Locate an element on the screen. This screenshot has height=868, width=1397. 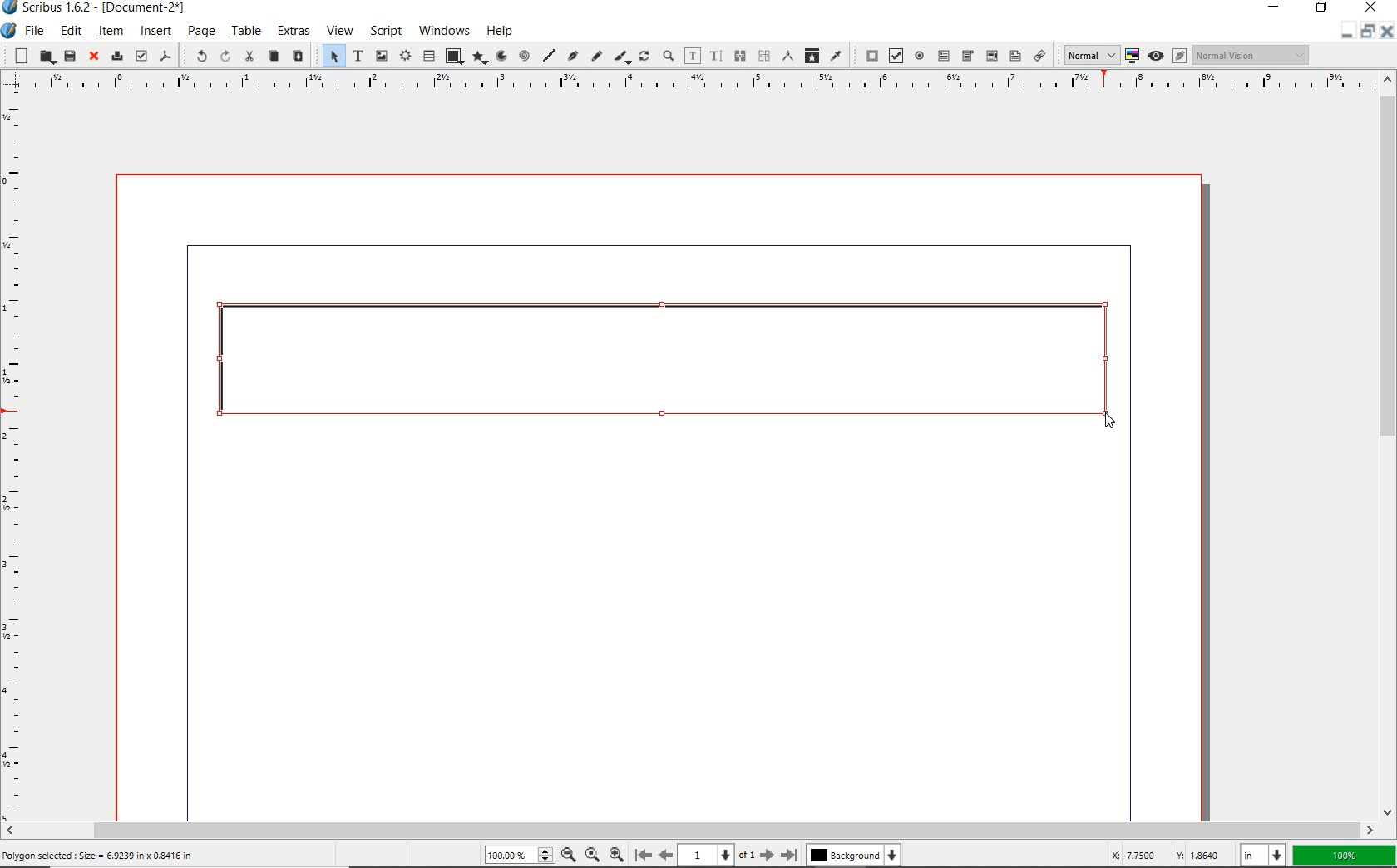
cut is located at coordinates (249, 57).